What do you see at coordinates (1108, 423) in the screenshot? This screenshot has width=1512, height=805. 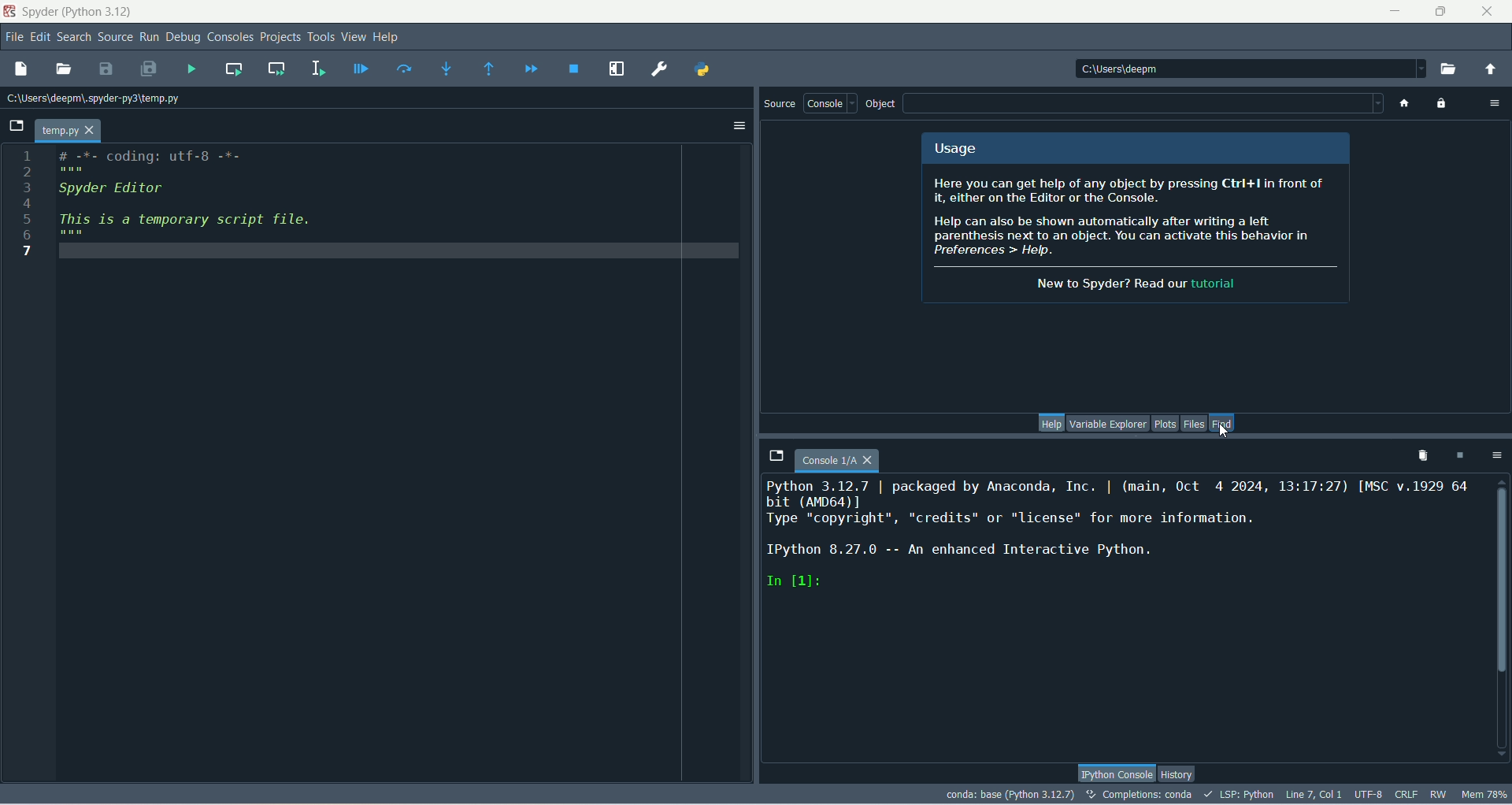 I see `variable explorer` at bounding box center [1108, 423].